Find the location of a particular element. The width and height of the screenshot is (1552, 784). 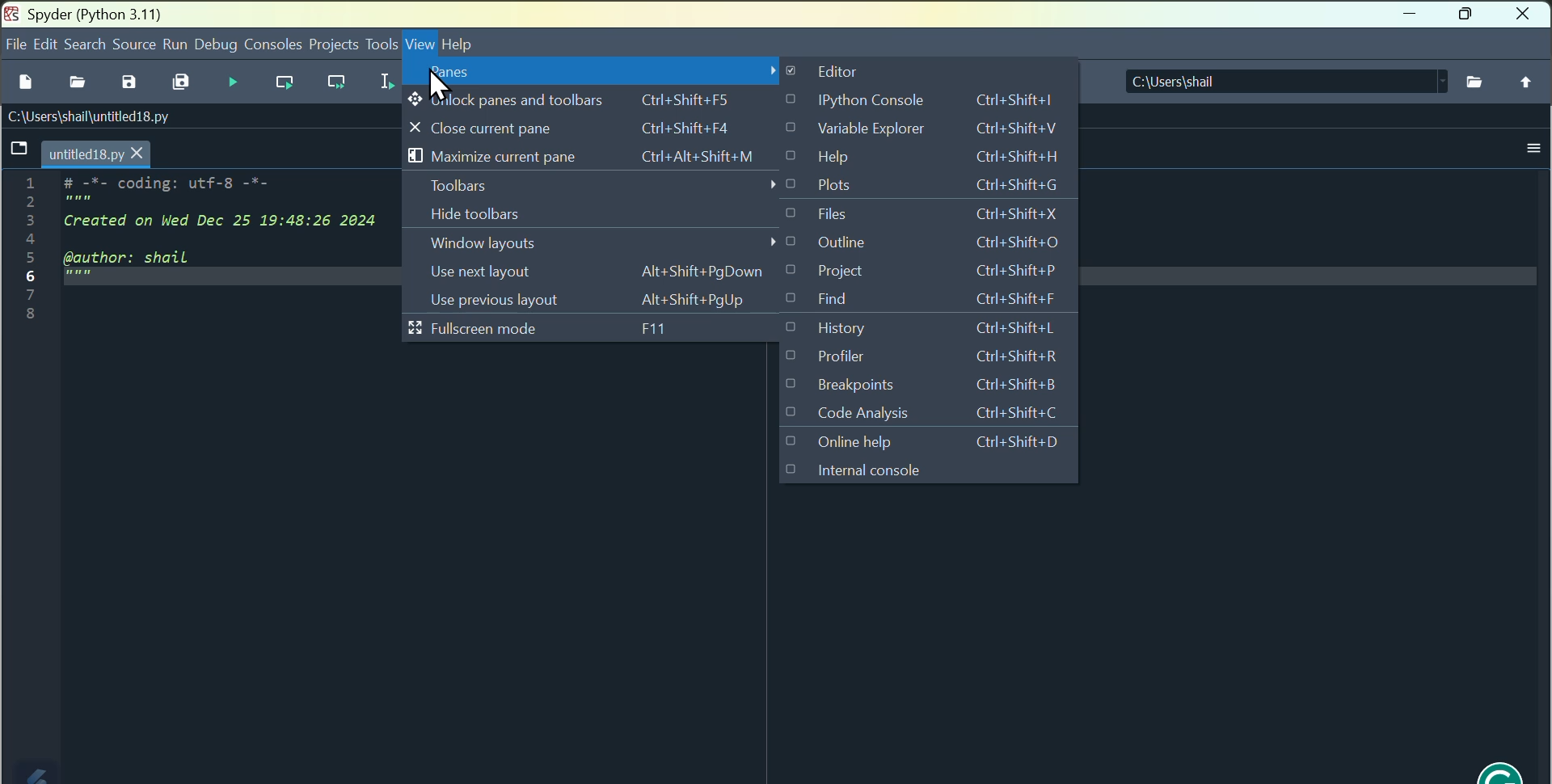

file is located at coordinates (11, 44).